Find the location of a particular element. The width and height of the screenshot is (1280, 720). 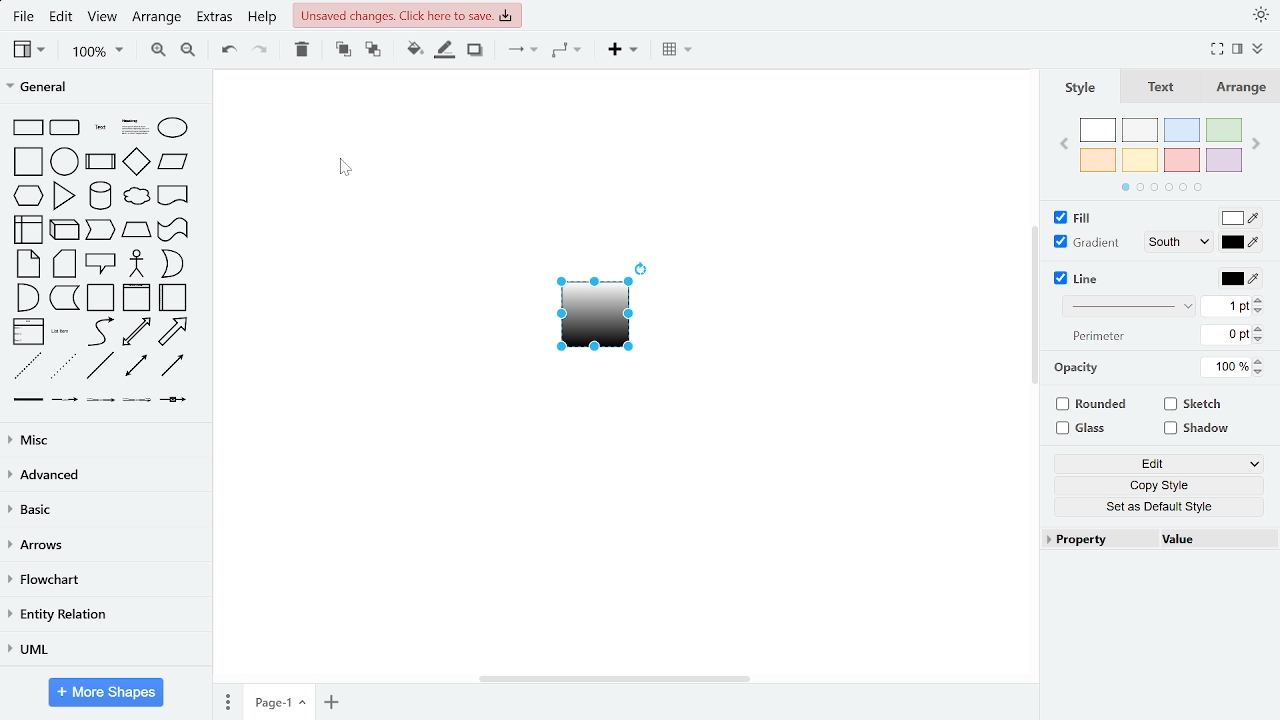

general shapes is located at coordinates (27, 330).